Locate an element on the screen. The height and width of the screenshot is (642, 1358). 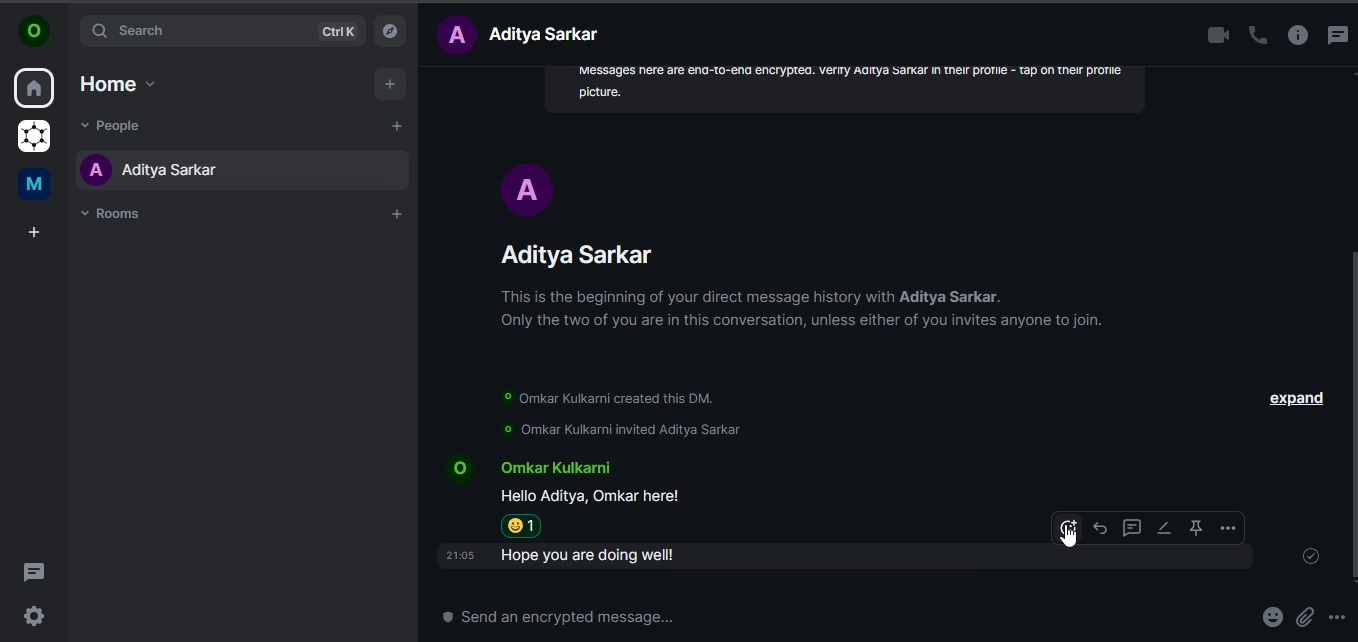
react is located at coordinates (1068, 531).